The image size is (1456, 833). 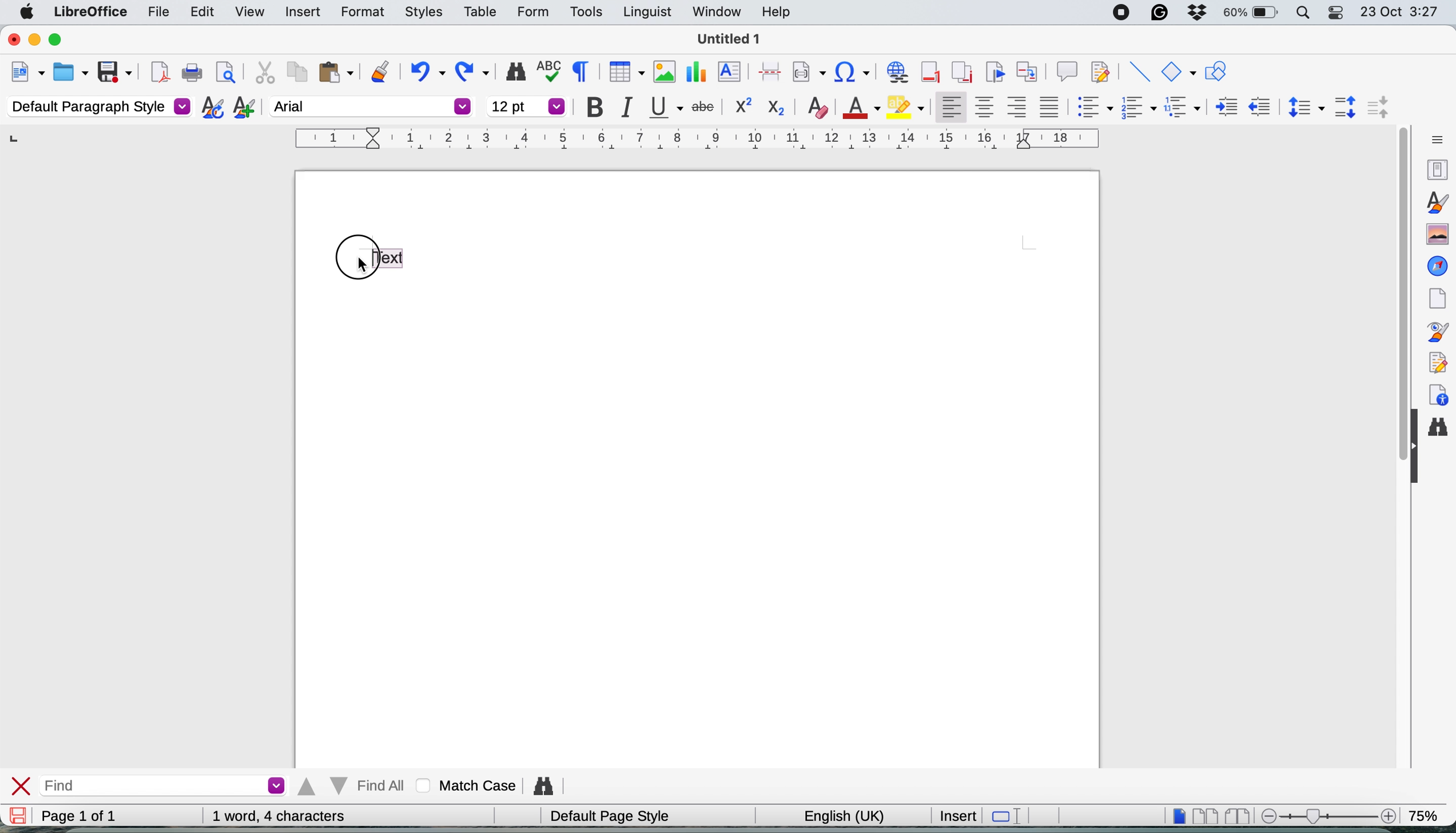 I want to click on insert cross reference, so click(x=1029, y=73).